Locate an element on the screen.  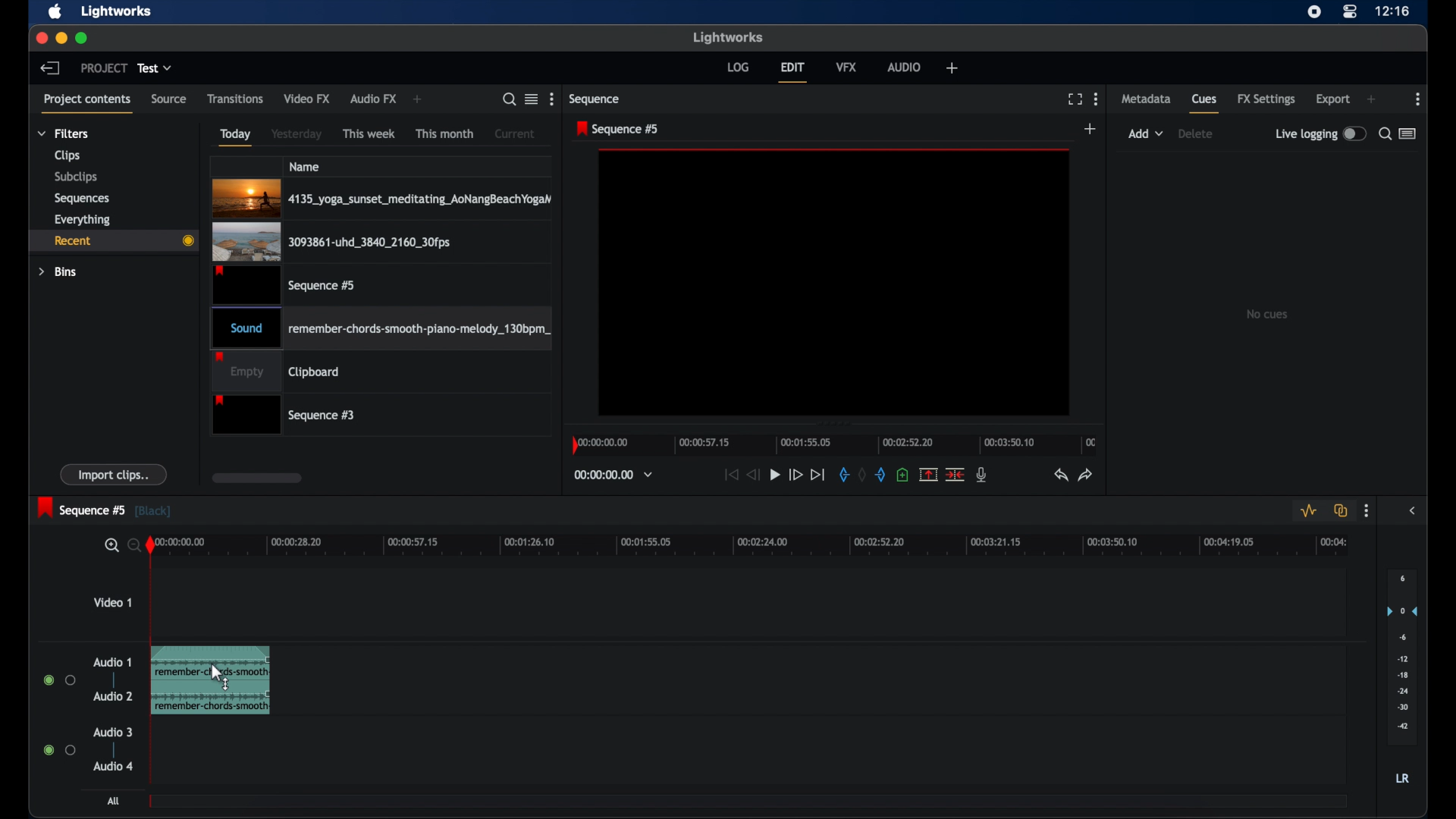
name is located at coordinates (305, 166).